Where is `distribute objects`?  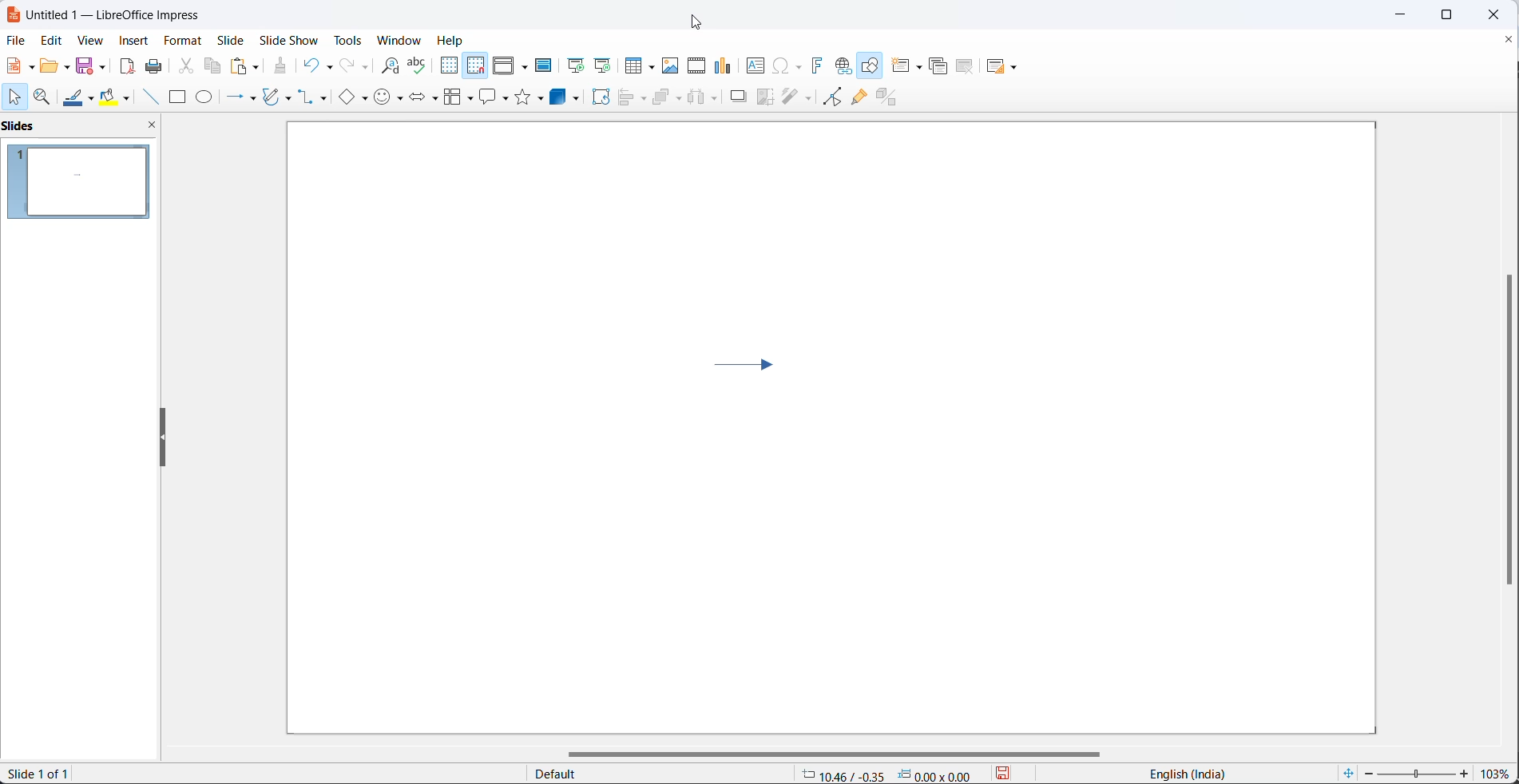 distribute objects is located at coordinates (704, 99).